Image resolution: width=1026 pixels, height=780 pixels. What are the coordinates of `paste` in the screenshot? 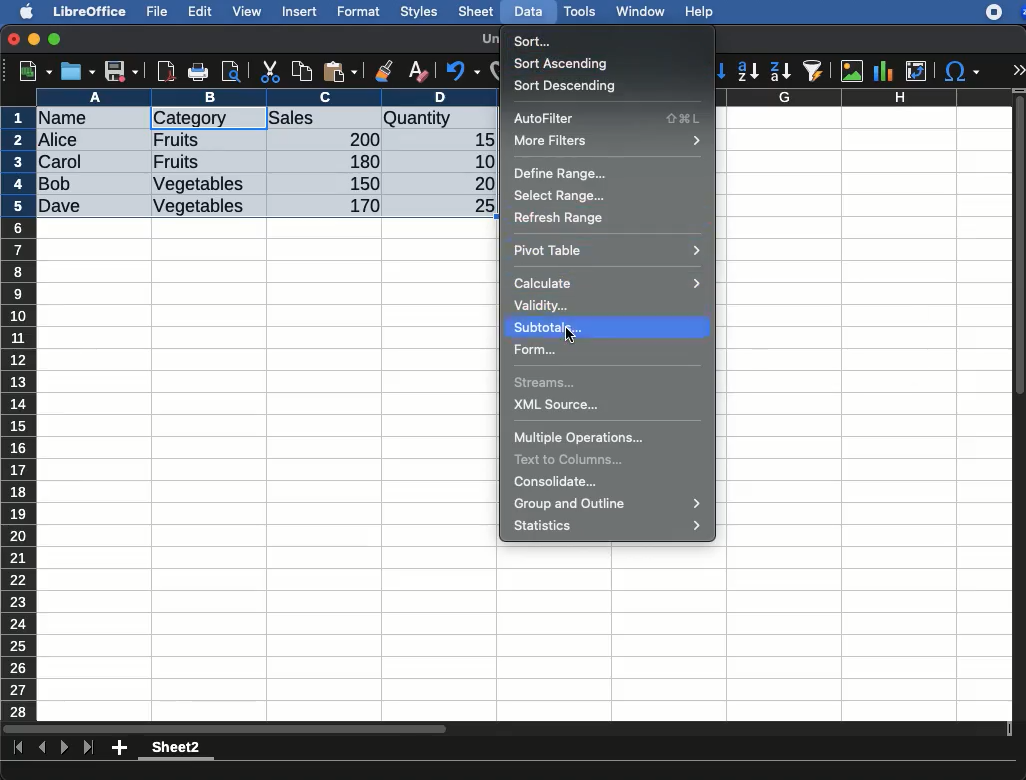 It's located at (339, 71).